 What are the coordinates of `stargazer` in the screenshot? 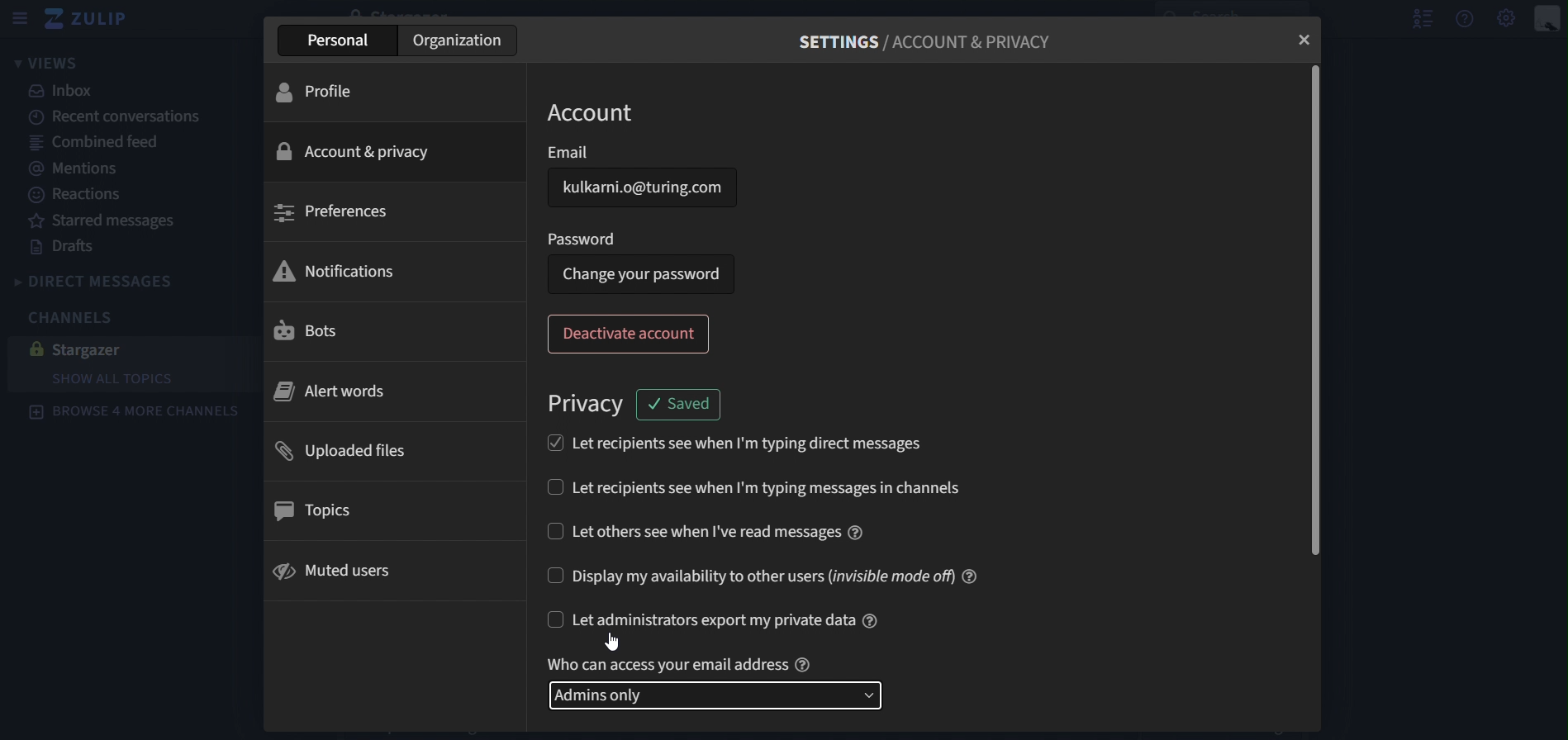 It's located at (96, 349).